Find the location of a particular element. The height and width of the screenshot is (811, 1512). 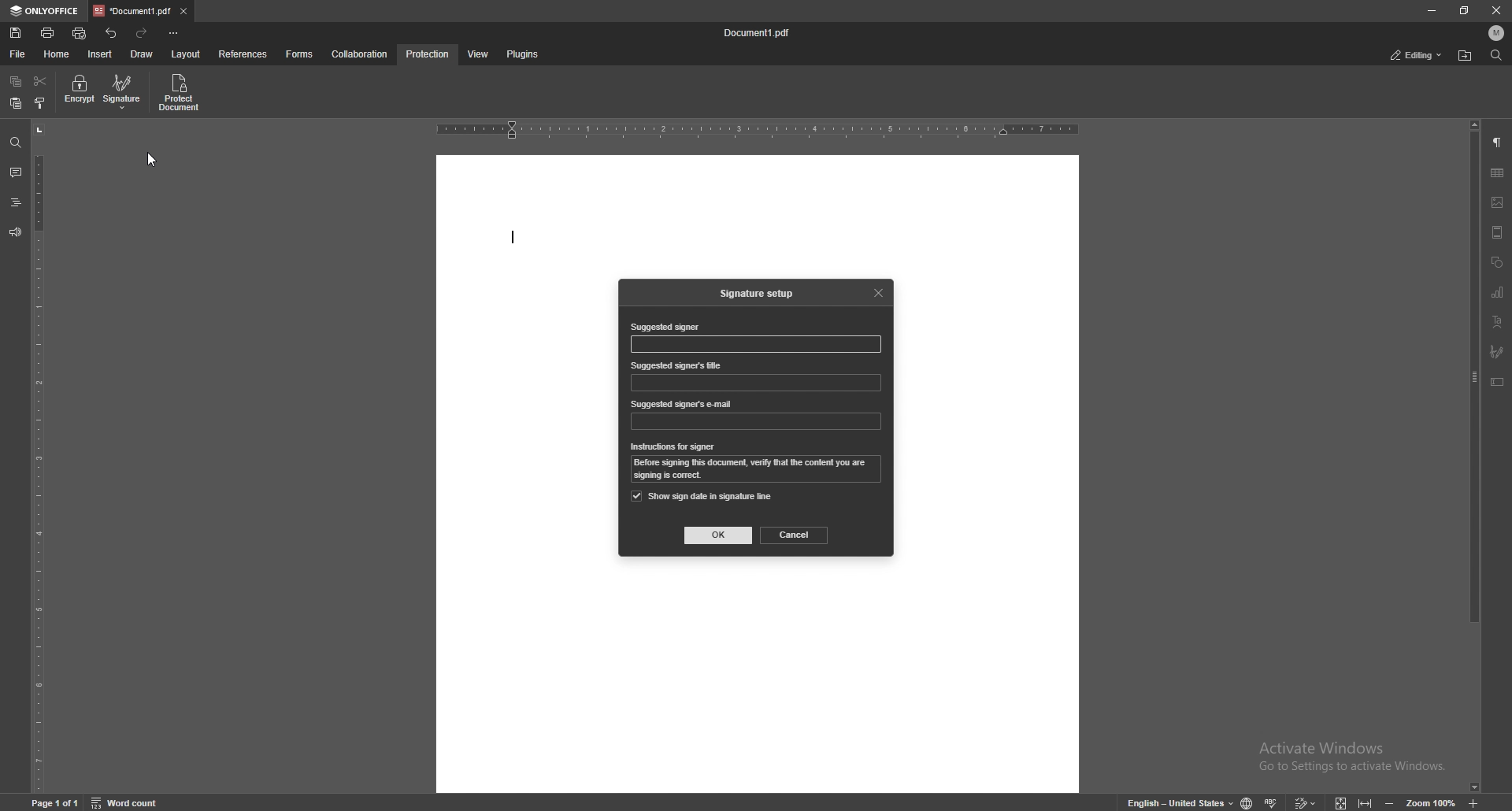

show sign date is located at coordinates (702, 496).